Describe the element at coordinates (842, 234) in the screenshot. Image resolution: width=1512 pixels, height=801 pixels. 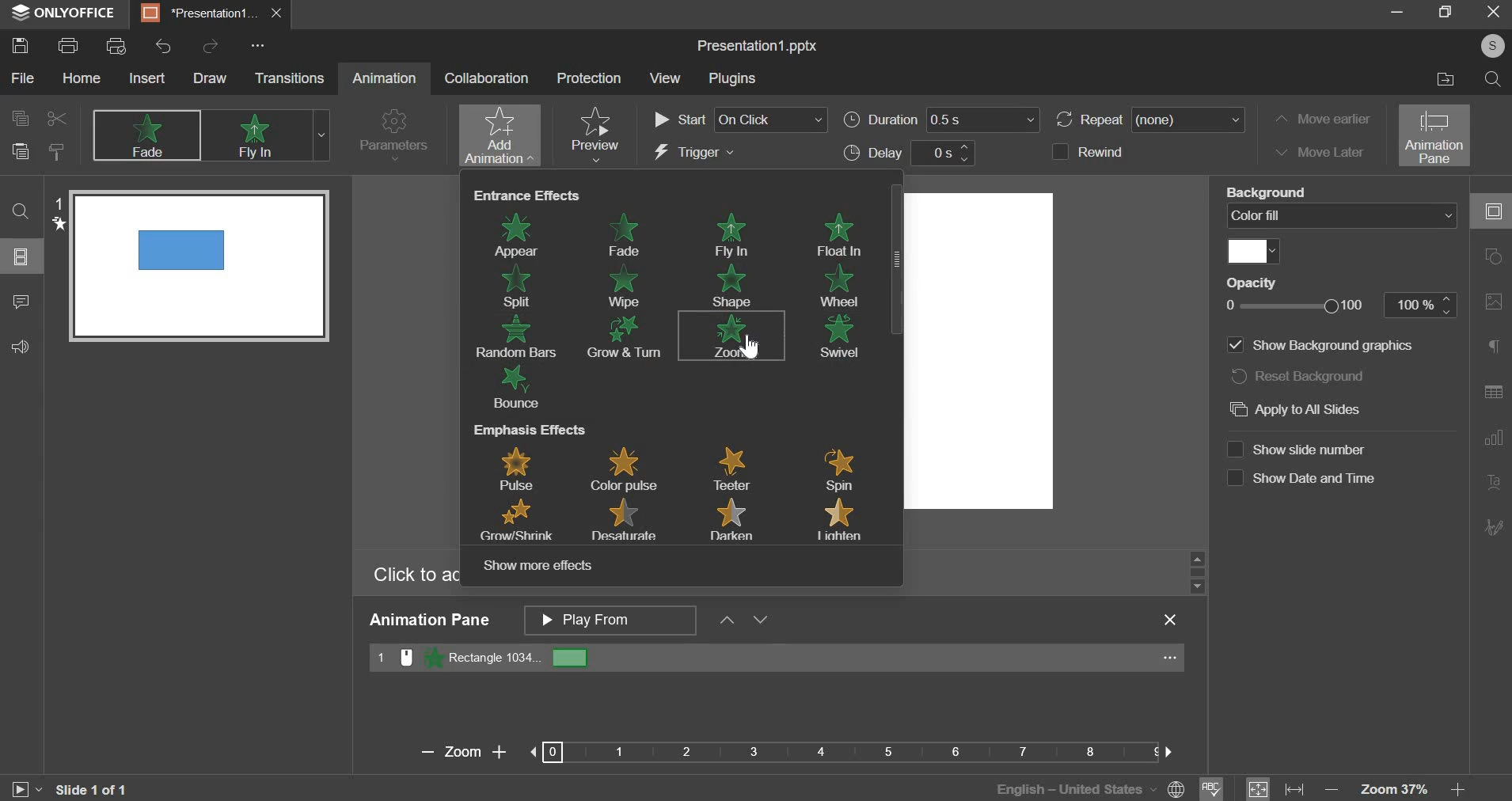
I see `float in` at that location.